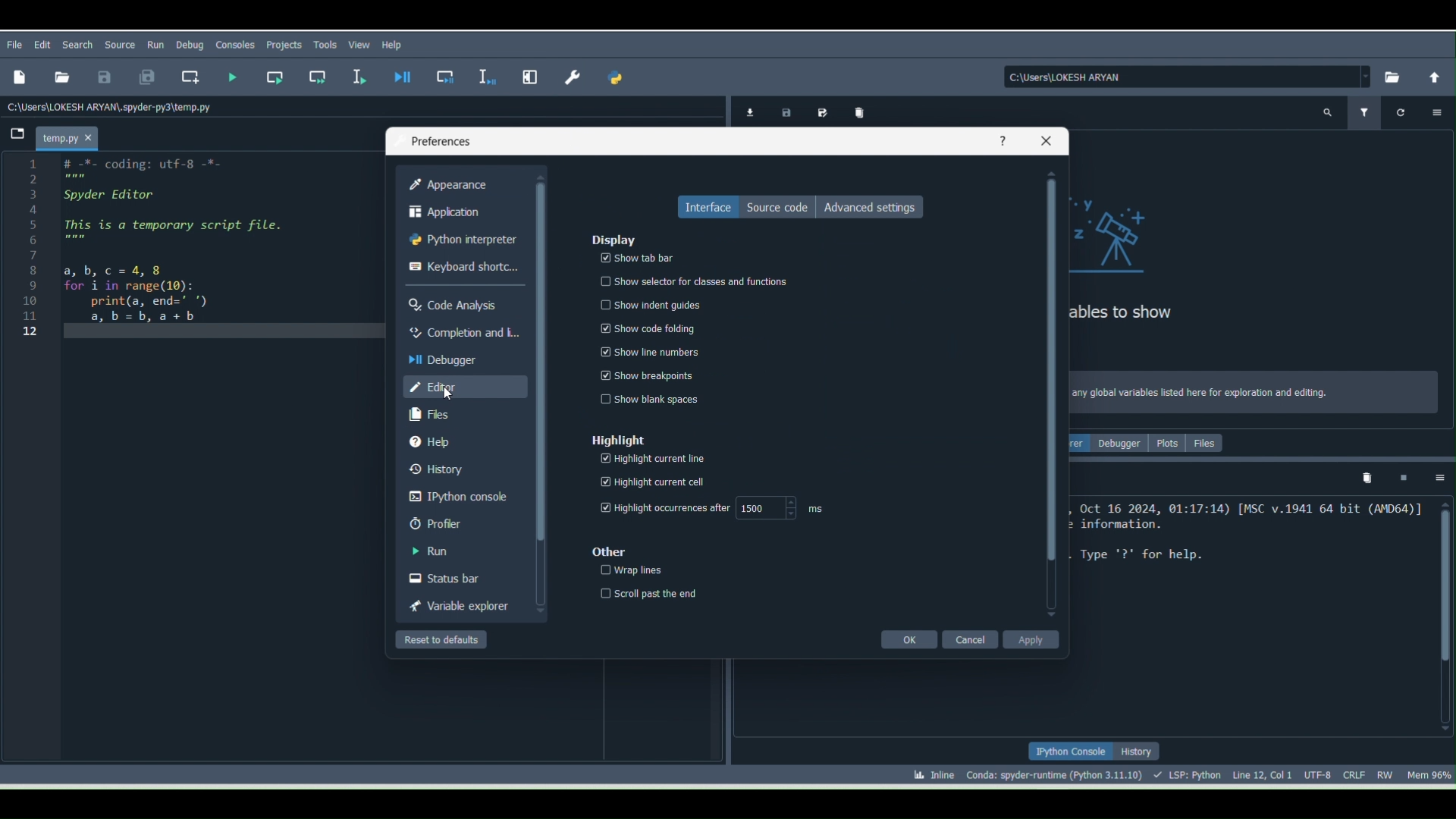 This screenshot has width=1456, height=819. I want to click on replay, so click(1404, 112).